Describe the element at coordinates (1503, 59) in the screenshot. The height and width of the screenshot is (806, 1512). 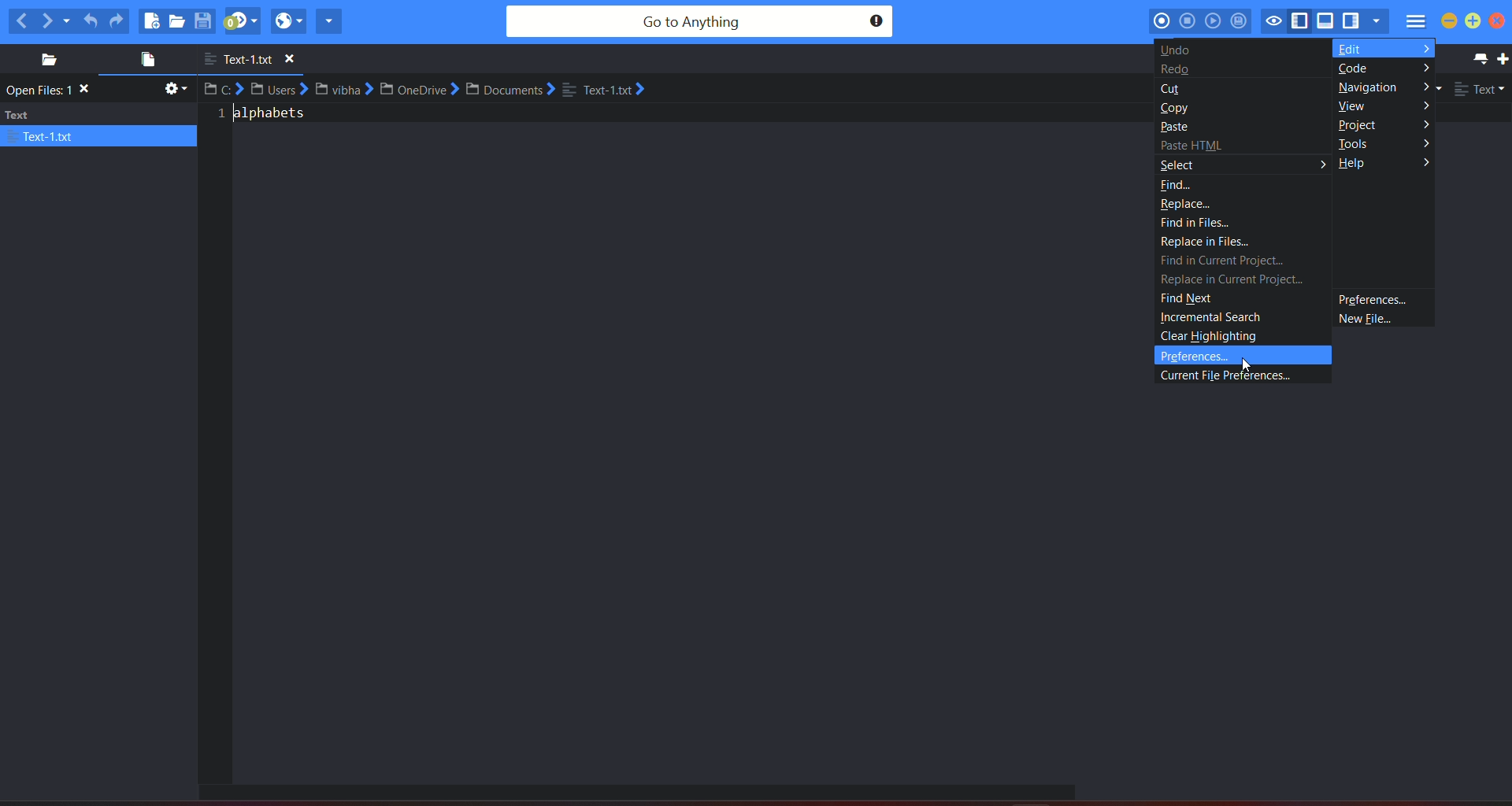
I see `new tab` at that location.